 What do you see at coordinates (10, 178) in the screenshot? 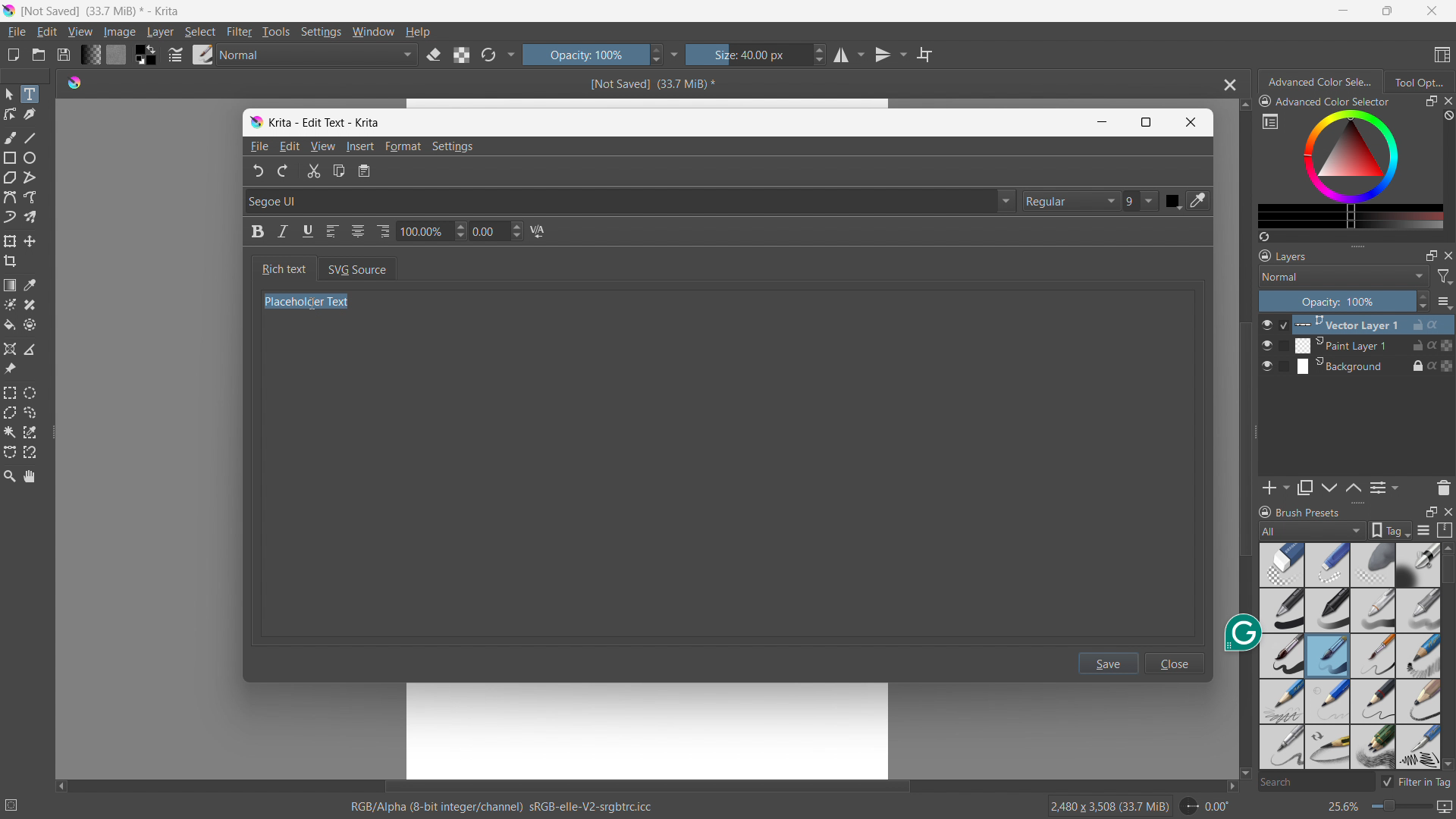
I see `polygon tool` at bounding box center [10, 178].